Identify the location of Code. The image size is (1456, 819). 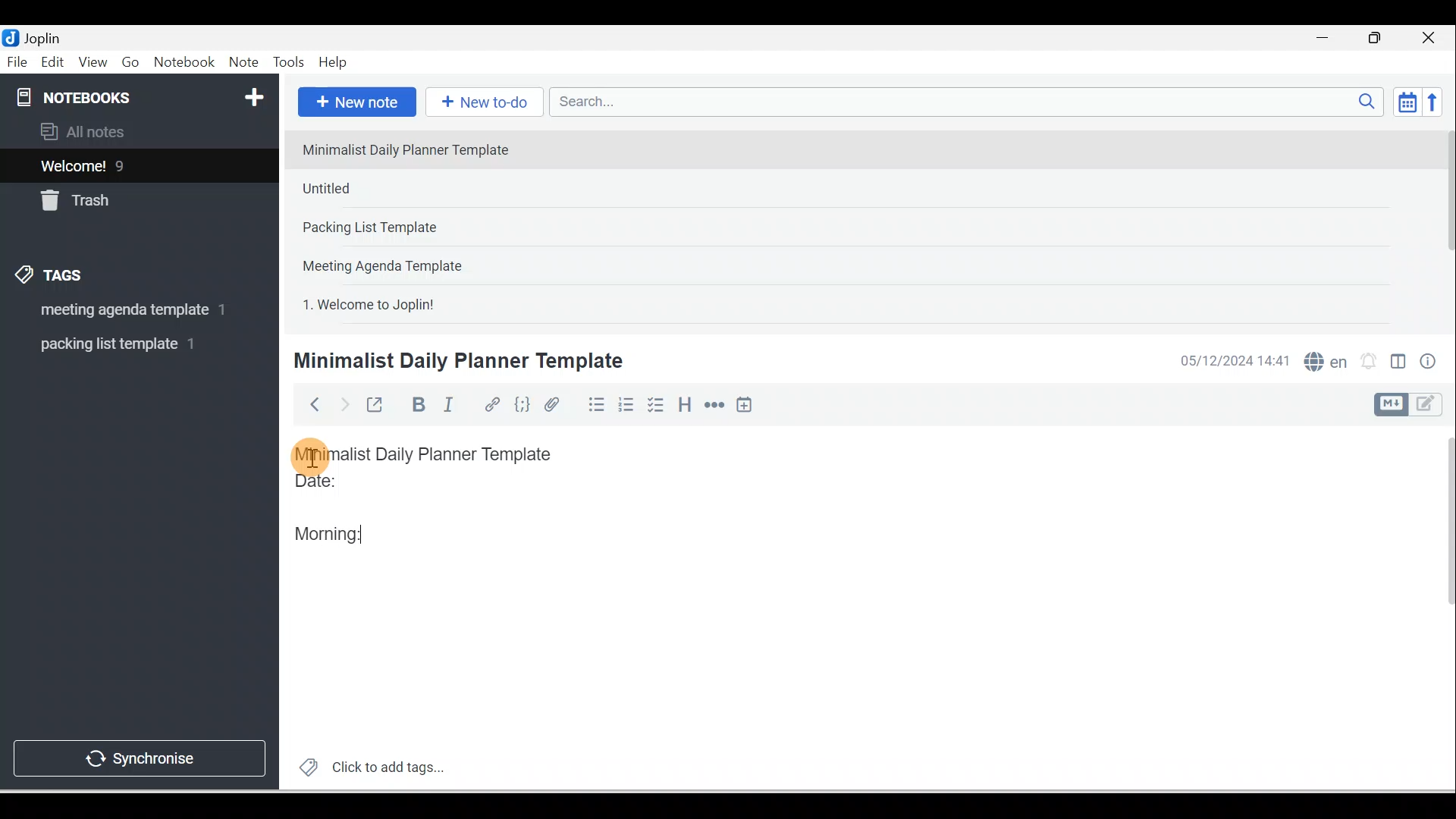
(522, 406).